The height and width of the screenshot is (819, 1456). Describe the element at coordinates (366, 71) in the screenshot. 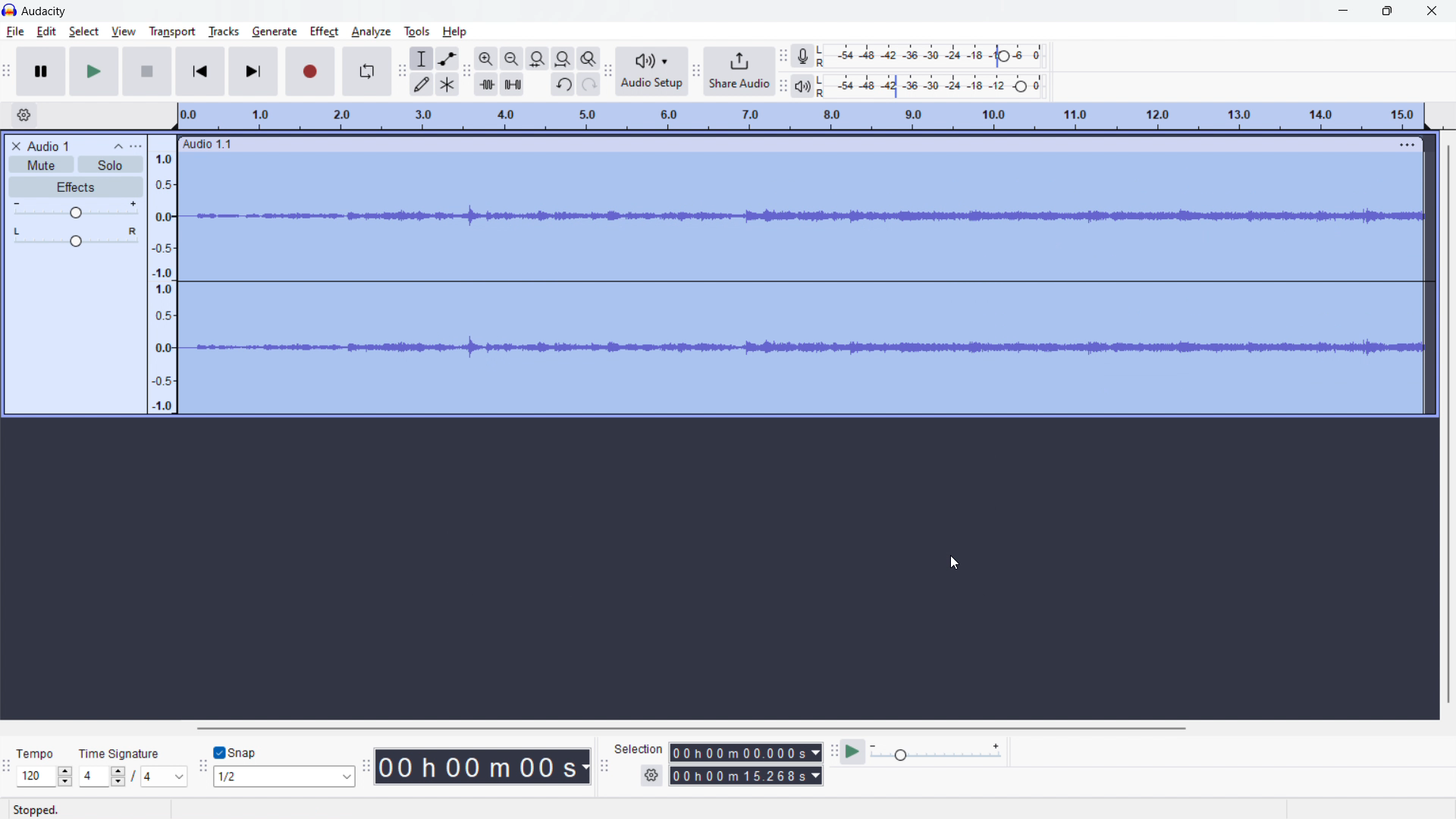

I see `enable looping` at that location.